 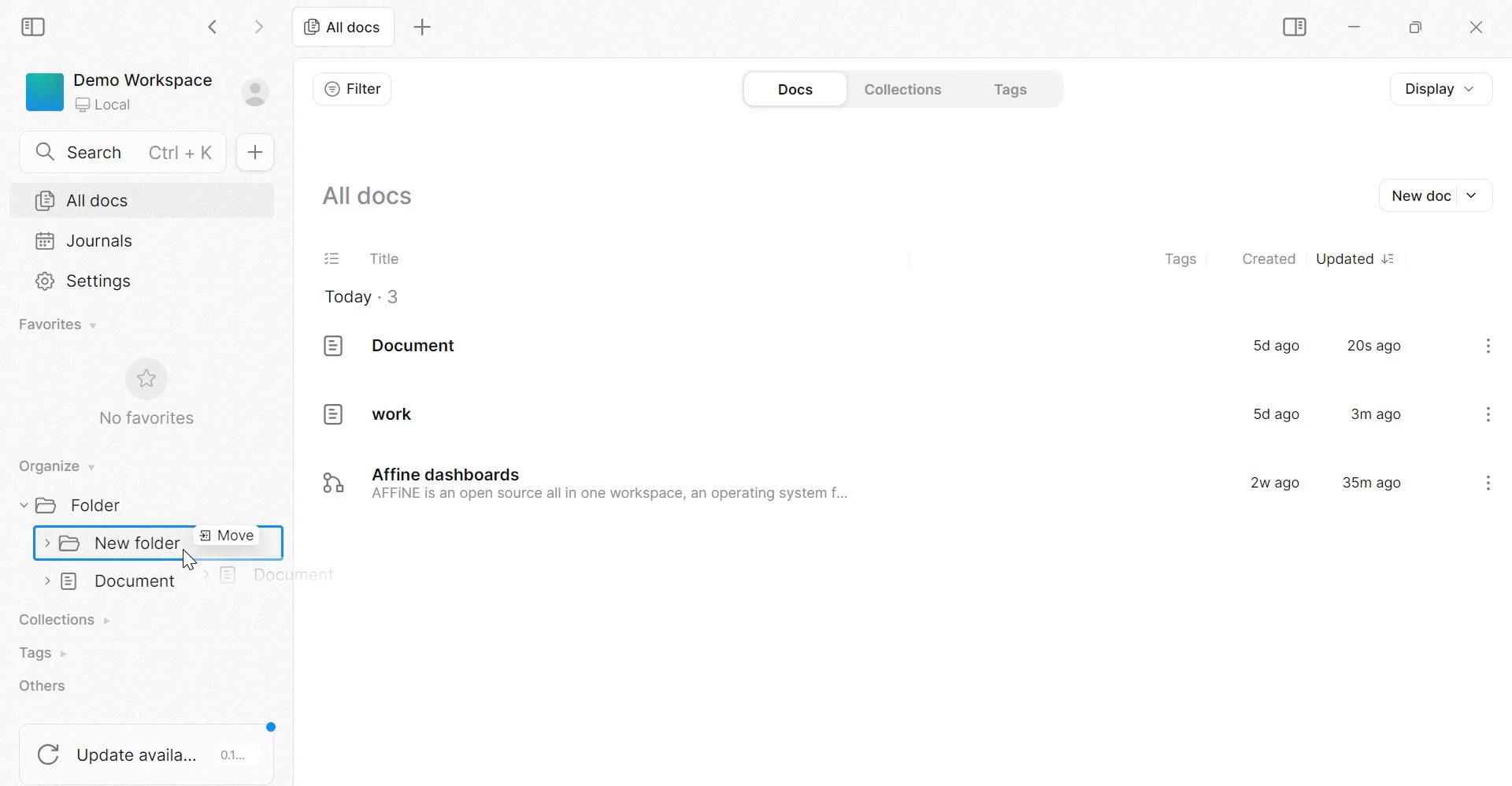 I want to click on Sidebar Toggle, so click(x=1294, y=27).